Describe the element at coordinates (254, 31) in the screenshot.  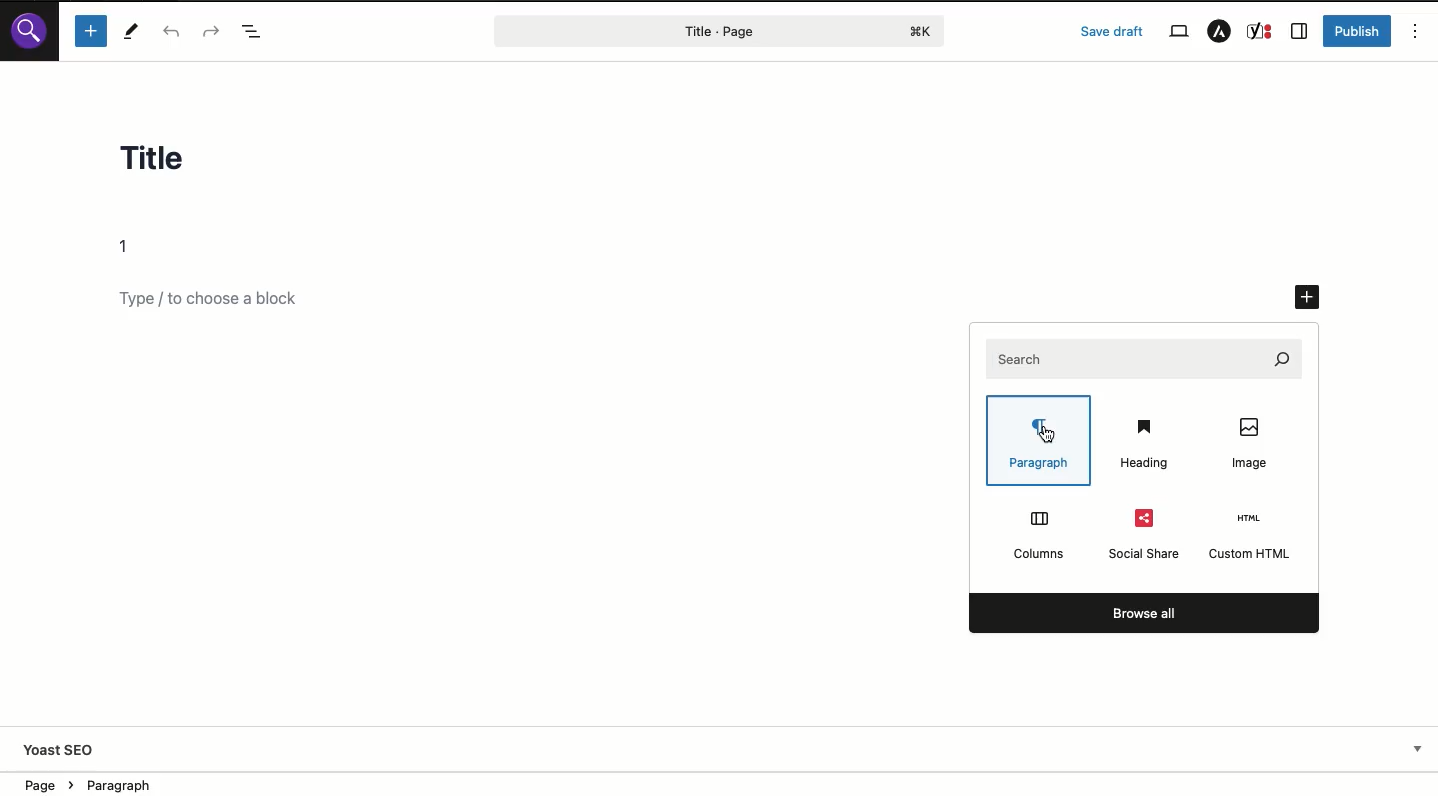
I see `Document overview` at that location.